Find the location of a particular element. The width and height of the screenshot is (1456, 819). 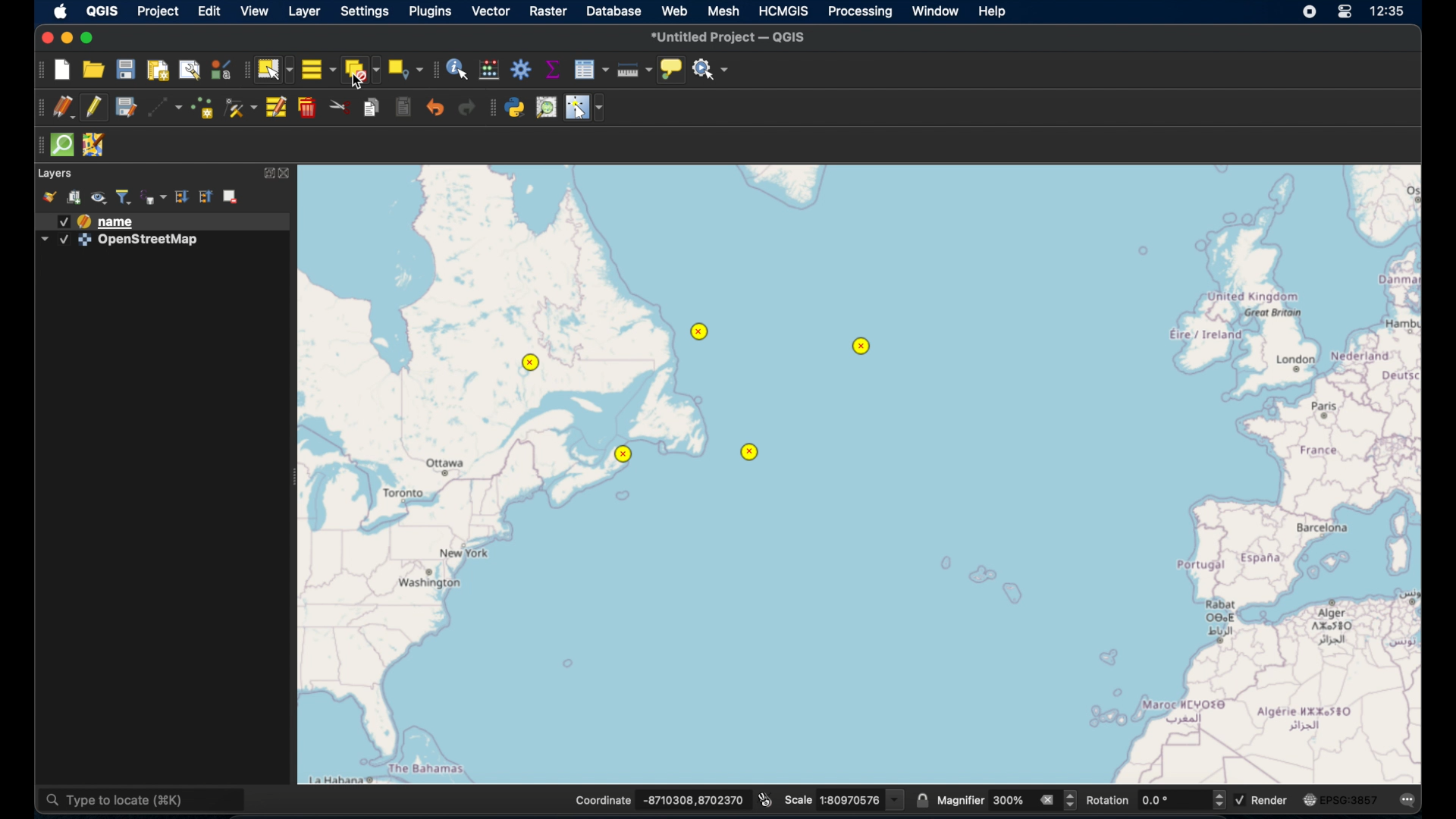

save project is located at coordinates (125, 71).